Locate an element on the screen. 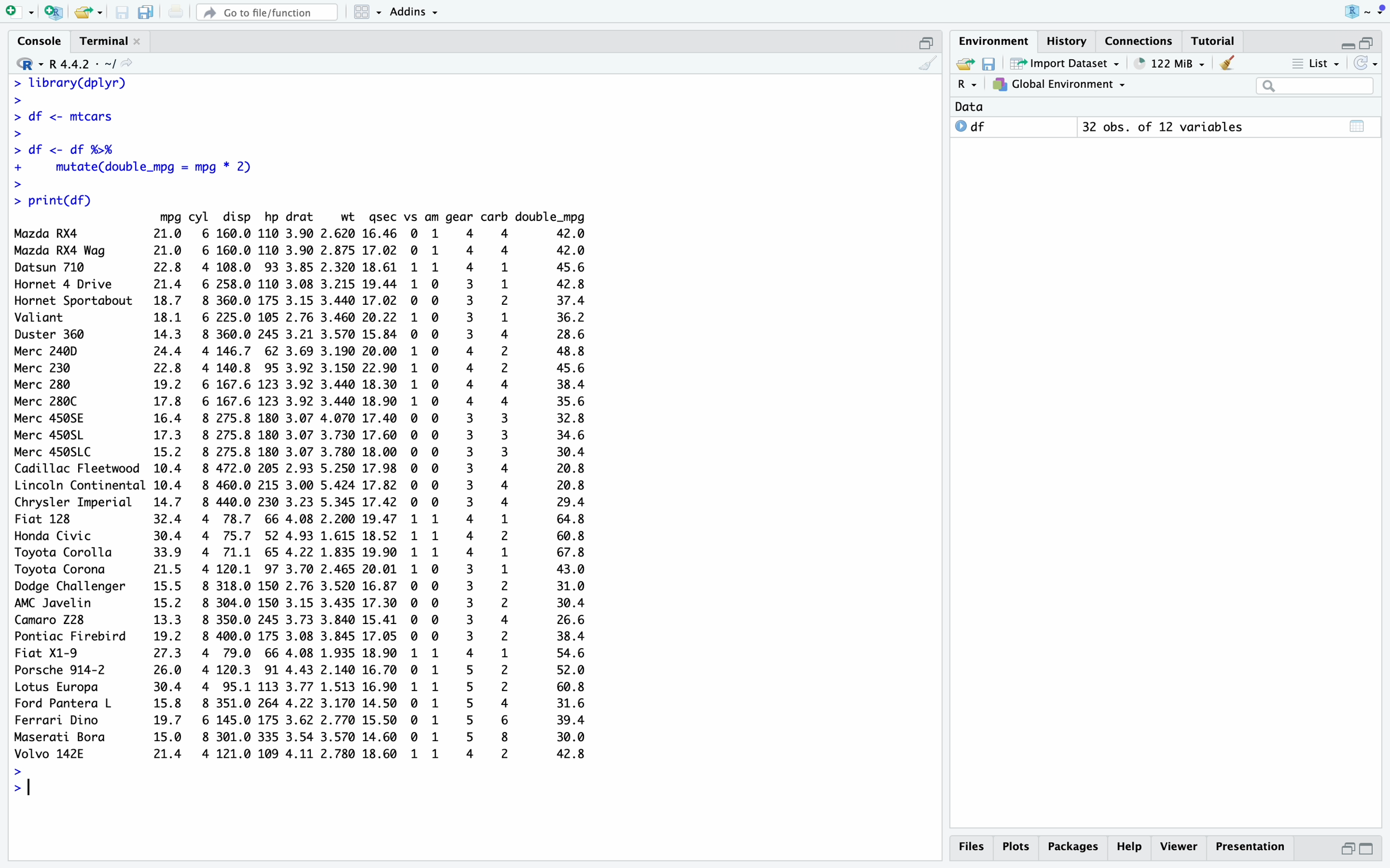  share is located at coordinates (964, 62).